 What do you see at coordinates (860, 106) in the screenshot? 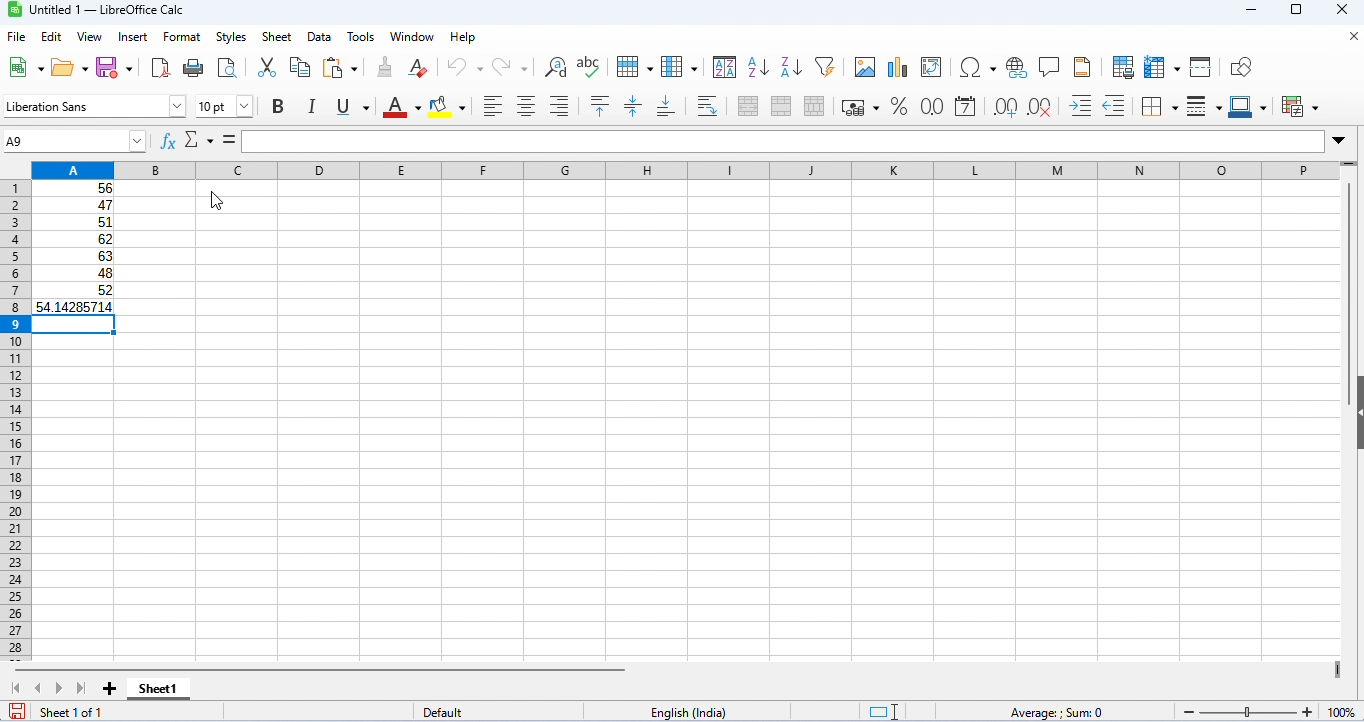
I see `format as currency` at bounding box center [860, 106].